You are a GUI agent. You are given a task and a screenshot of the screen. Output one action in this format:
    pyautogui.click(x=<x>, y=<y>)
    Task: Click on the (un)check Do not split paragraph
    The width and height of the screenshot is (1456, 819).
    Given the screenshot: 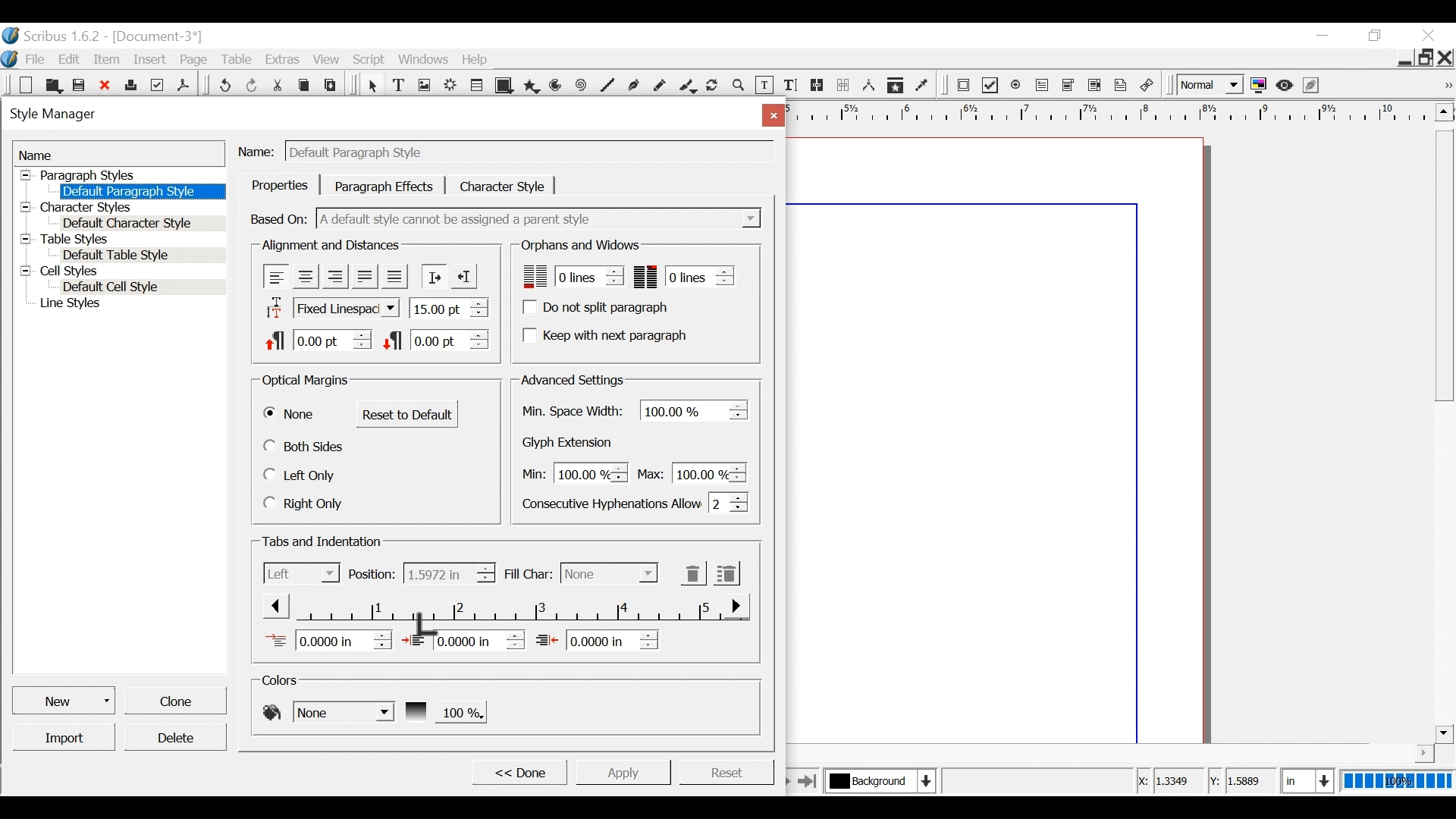 What is the action you would take?
    pyautogui.click(x=598, y=307)
    